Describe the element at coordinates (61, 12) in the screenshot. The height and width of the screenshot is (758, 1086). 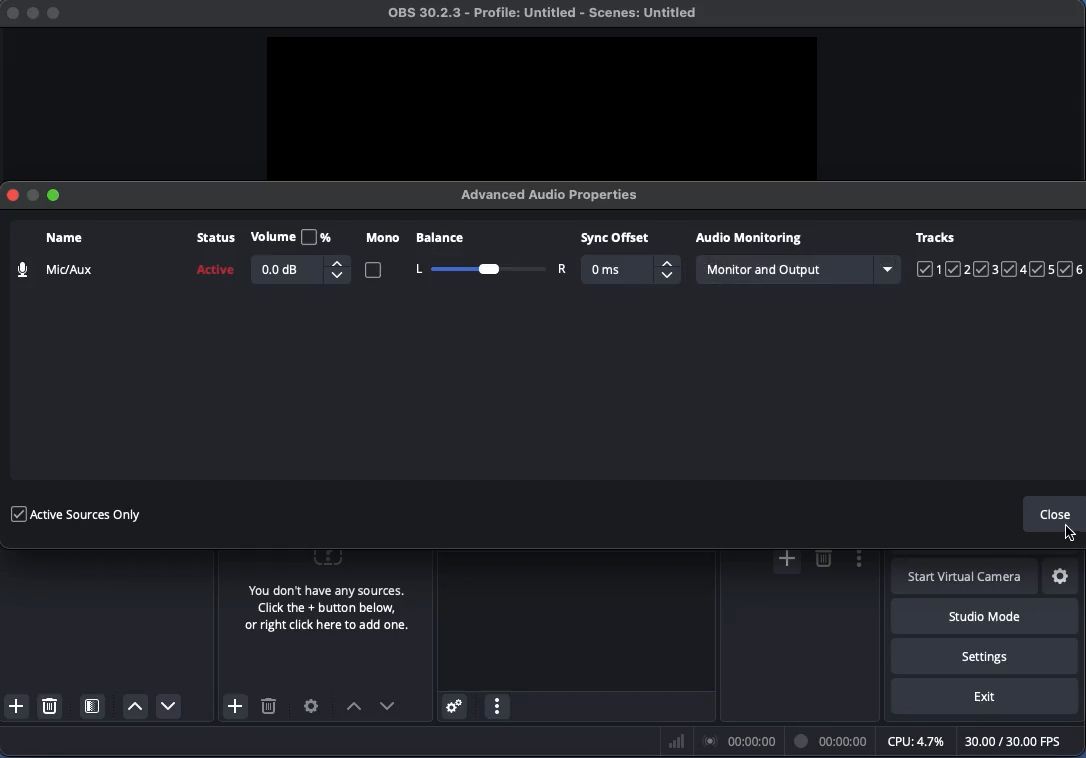
I see `maximize` at that location.